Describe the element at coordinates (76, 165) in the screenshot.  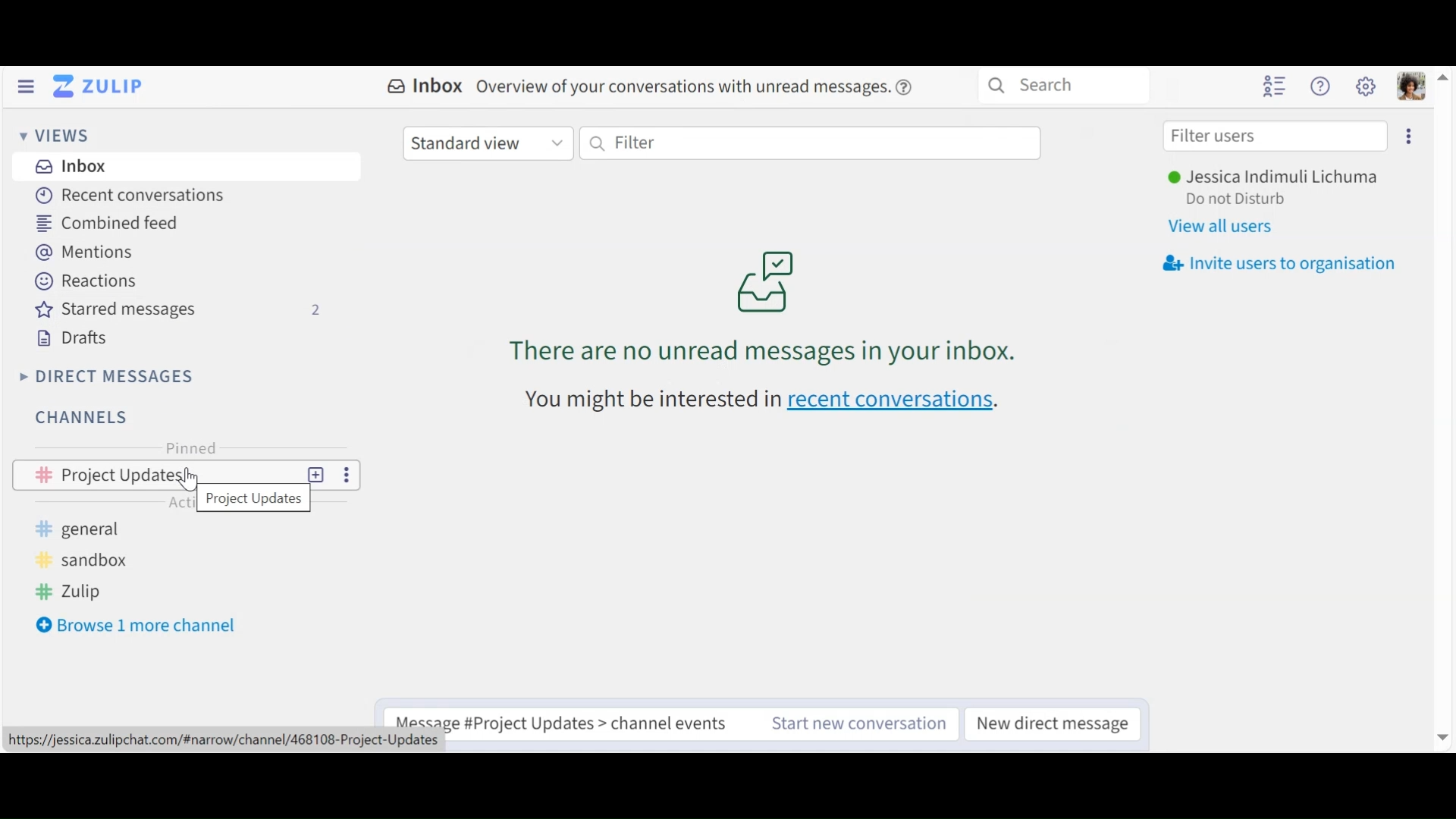
I see `Inbox` at that location.